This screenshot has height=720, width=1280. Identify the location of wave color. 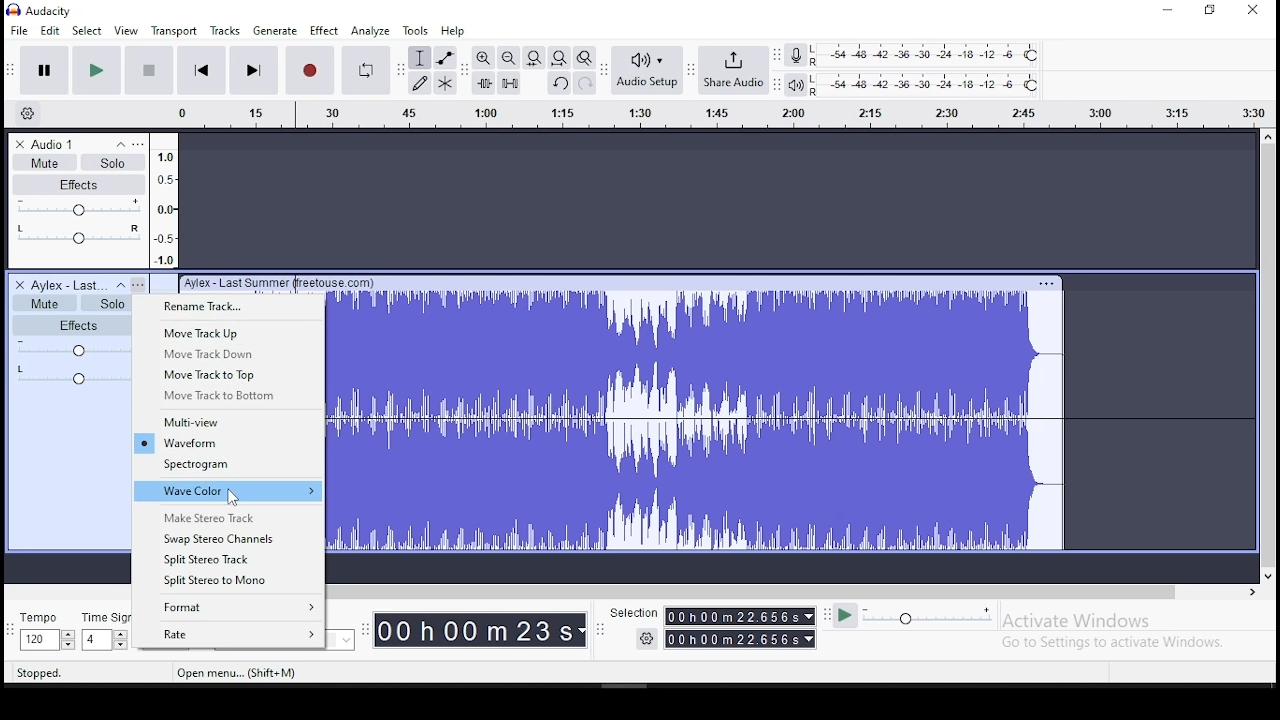
(229, 491).